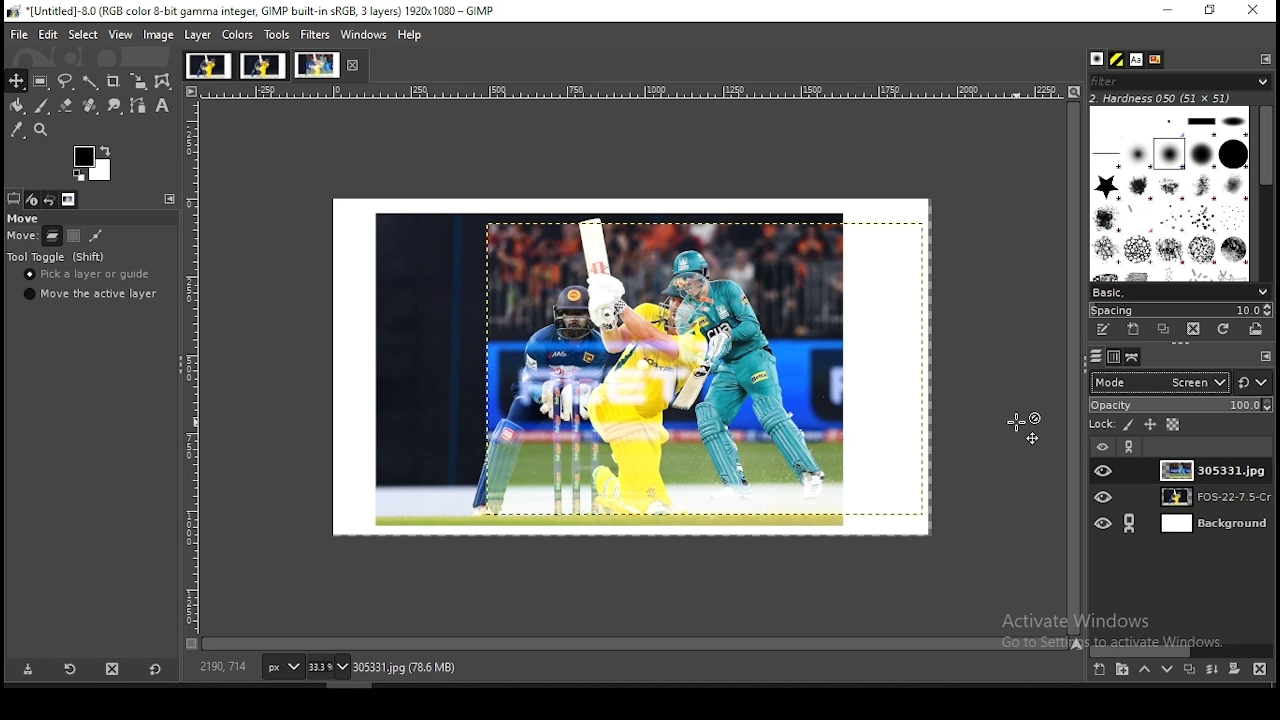 This screenshot has height=720, width=1280. I want to click on paths tool, so click(139, 106).